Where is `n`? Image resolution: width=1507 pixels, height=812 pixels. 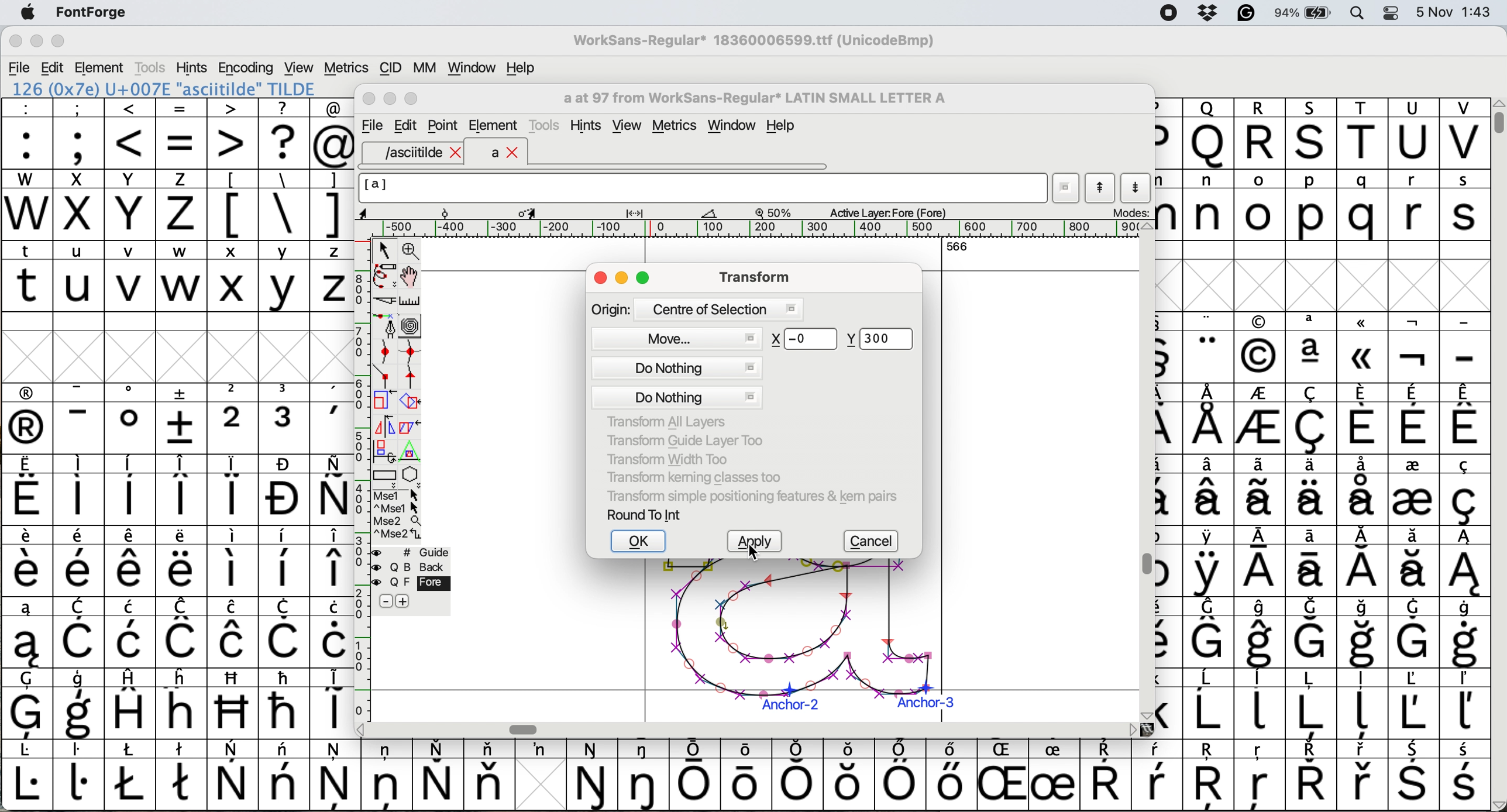
n is located at coordinates (1208, 204).